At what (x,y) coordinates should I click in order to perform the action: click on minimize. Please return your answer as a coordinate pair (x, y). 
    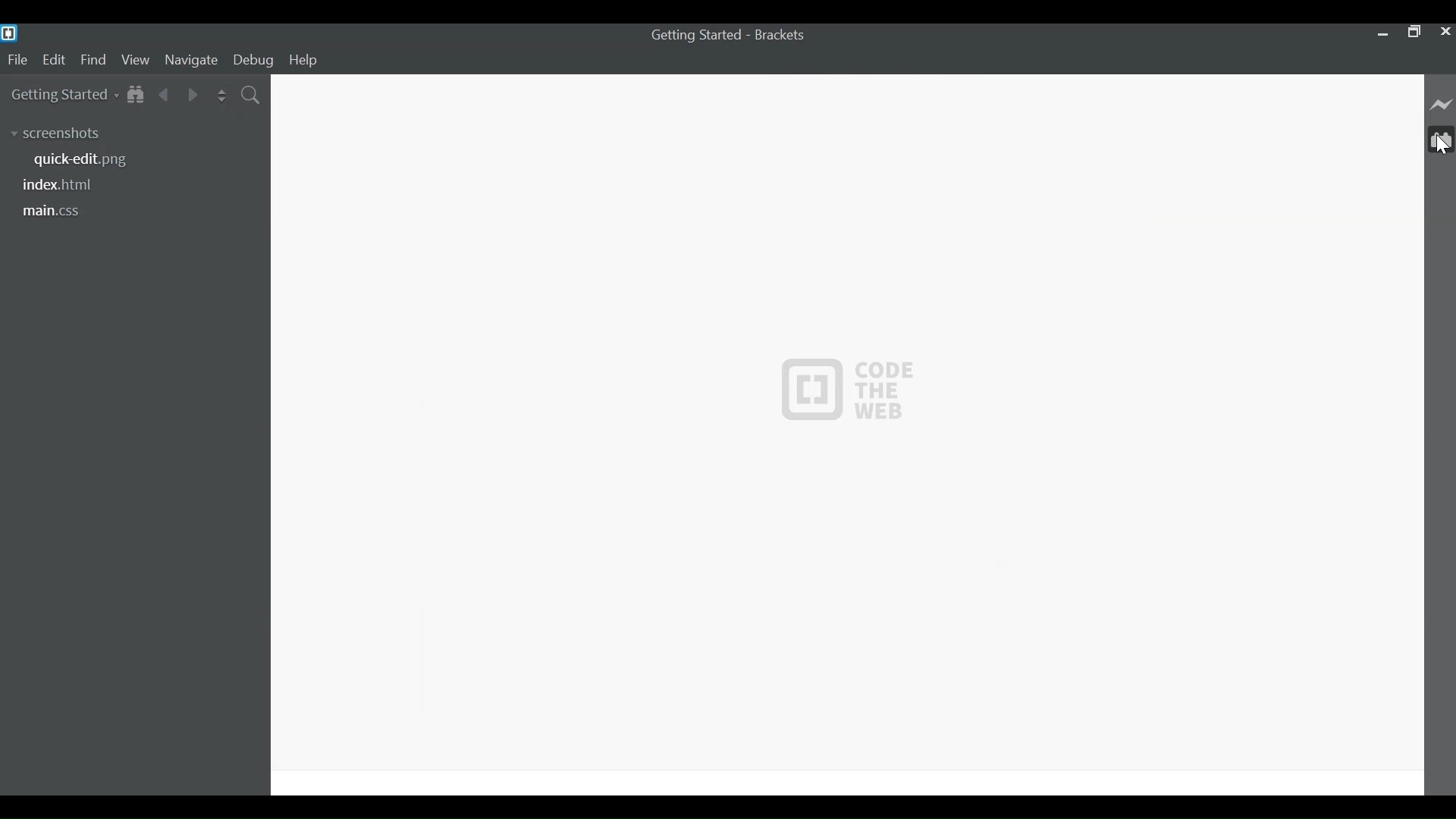
    Looking at the image, I should click on (1382, 33).